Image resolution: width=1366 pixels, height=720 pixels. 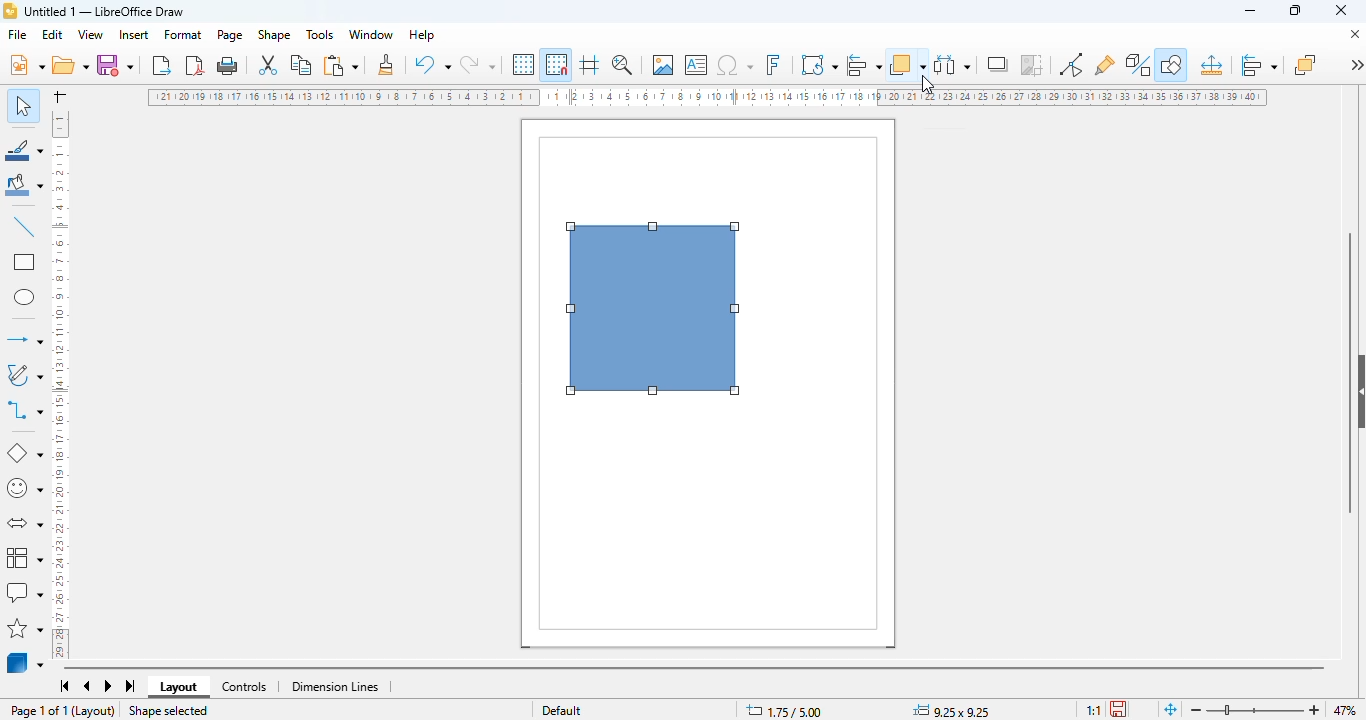 I want to click on flowchart, so click(x=25, y=556).